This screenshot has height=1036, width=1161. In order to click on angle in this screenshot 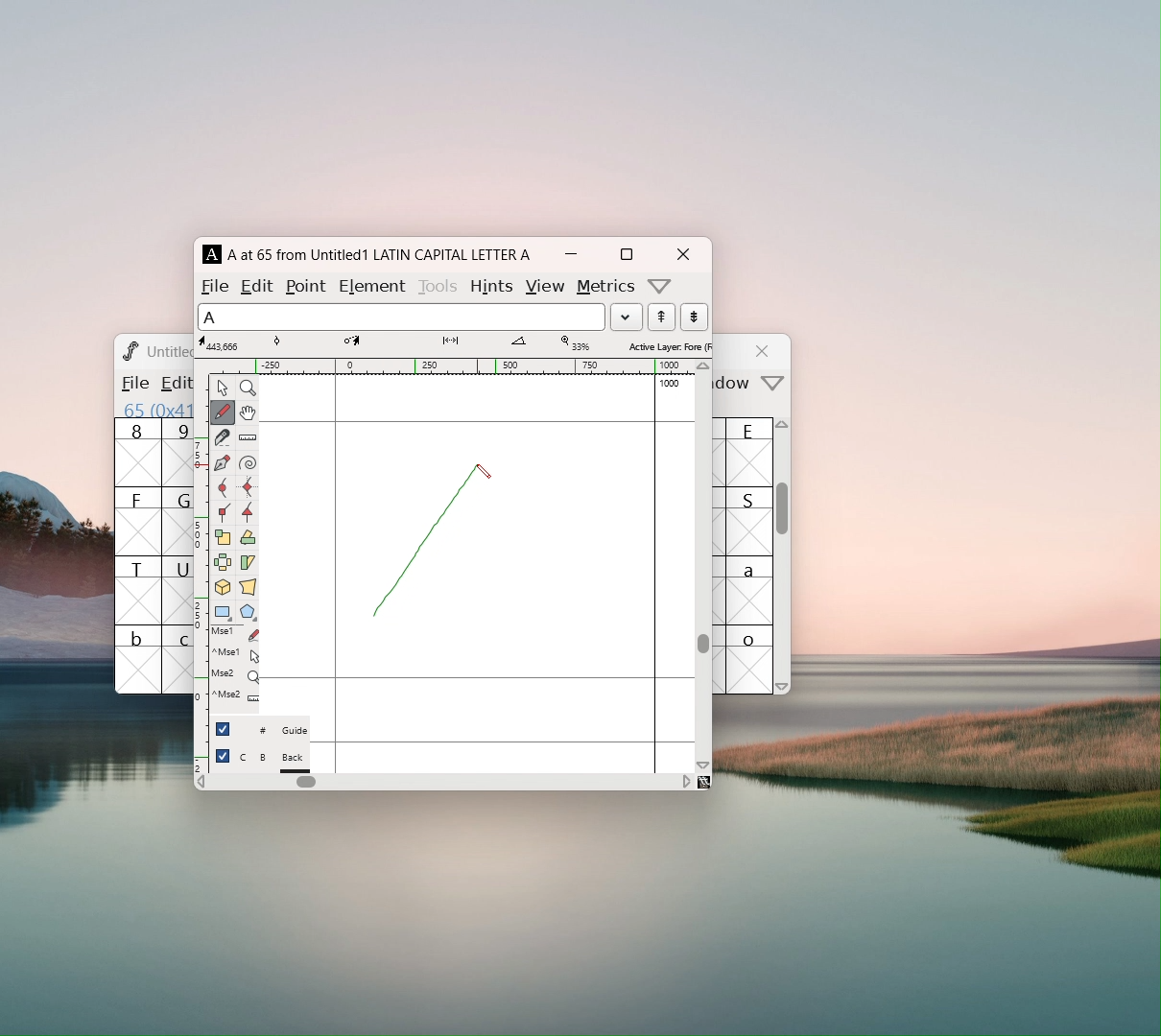, I will do `click(519, 343)`.